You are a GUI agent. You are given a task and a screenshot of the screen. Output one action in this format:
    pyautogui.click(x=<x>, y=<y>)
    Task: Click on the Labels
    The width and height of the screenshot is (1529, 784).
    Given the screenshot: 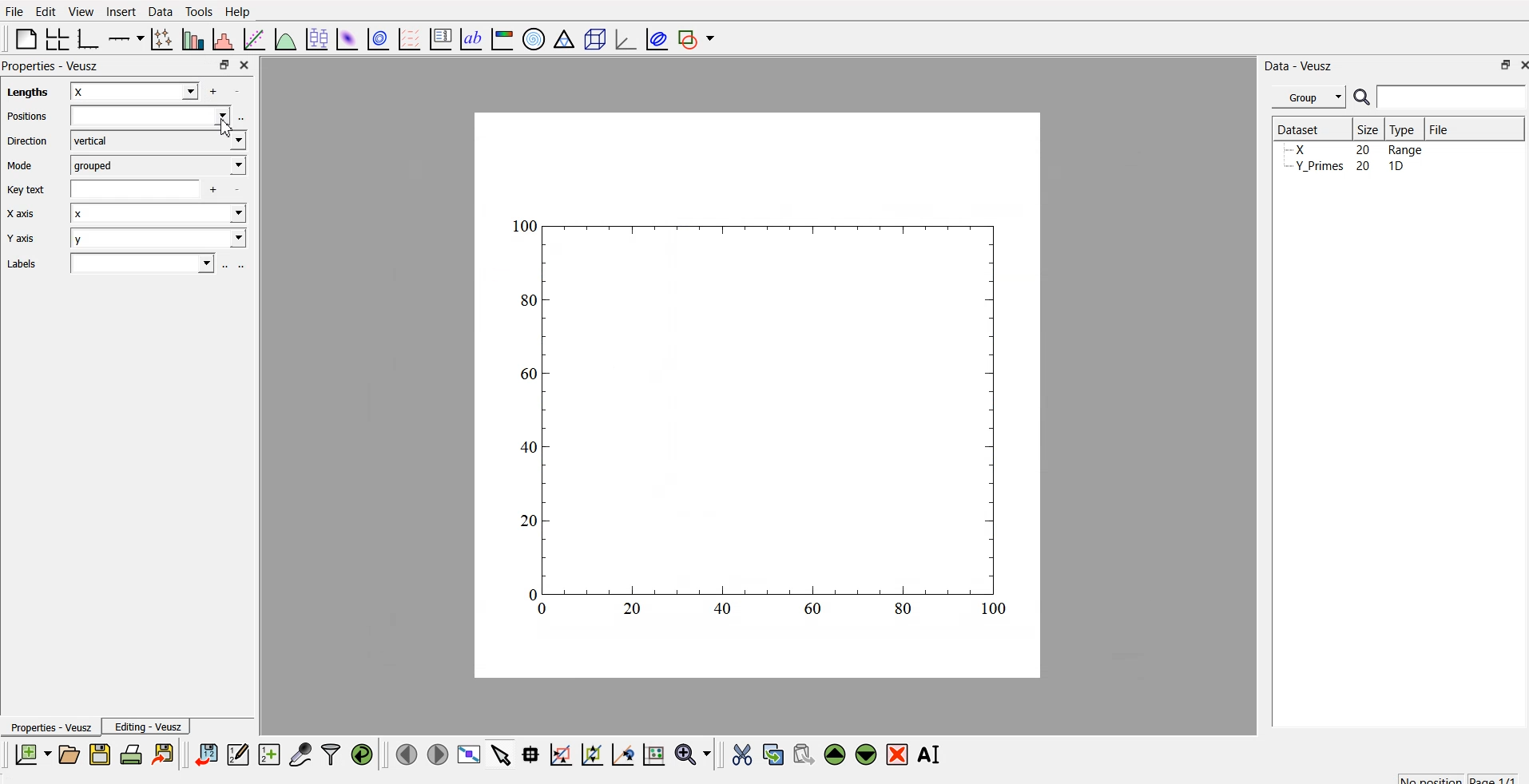 What is the action you would take?
    pyautogui.click(x=121, y=263)
    